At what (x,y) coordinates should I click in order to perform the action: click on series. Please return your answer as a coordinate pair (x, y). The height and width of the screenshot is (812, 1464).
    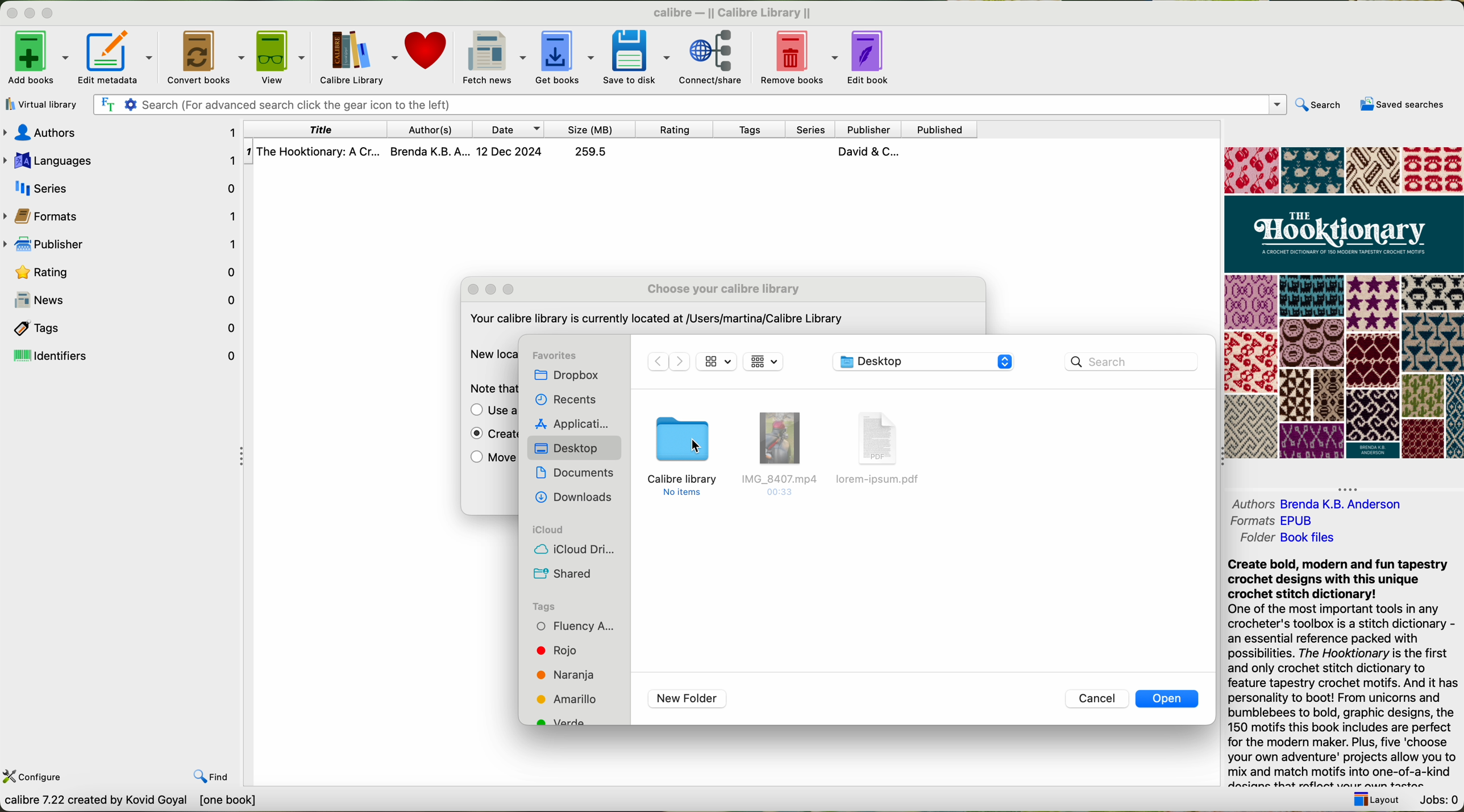
    Looking at the image, I should click on (813, 128).